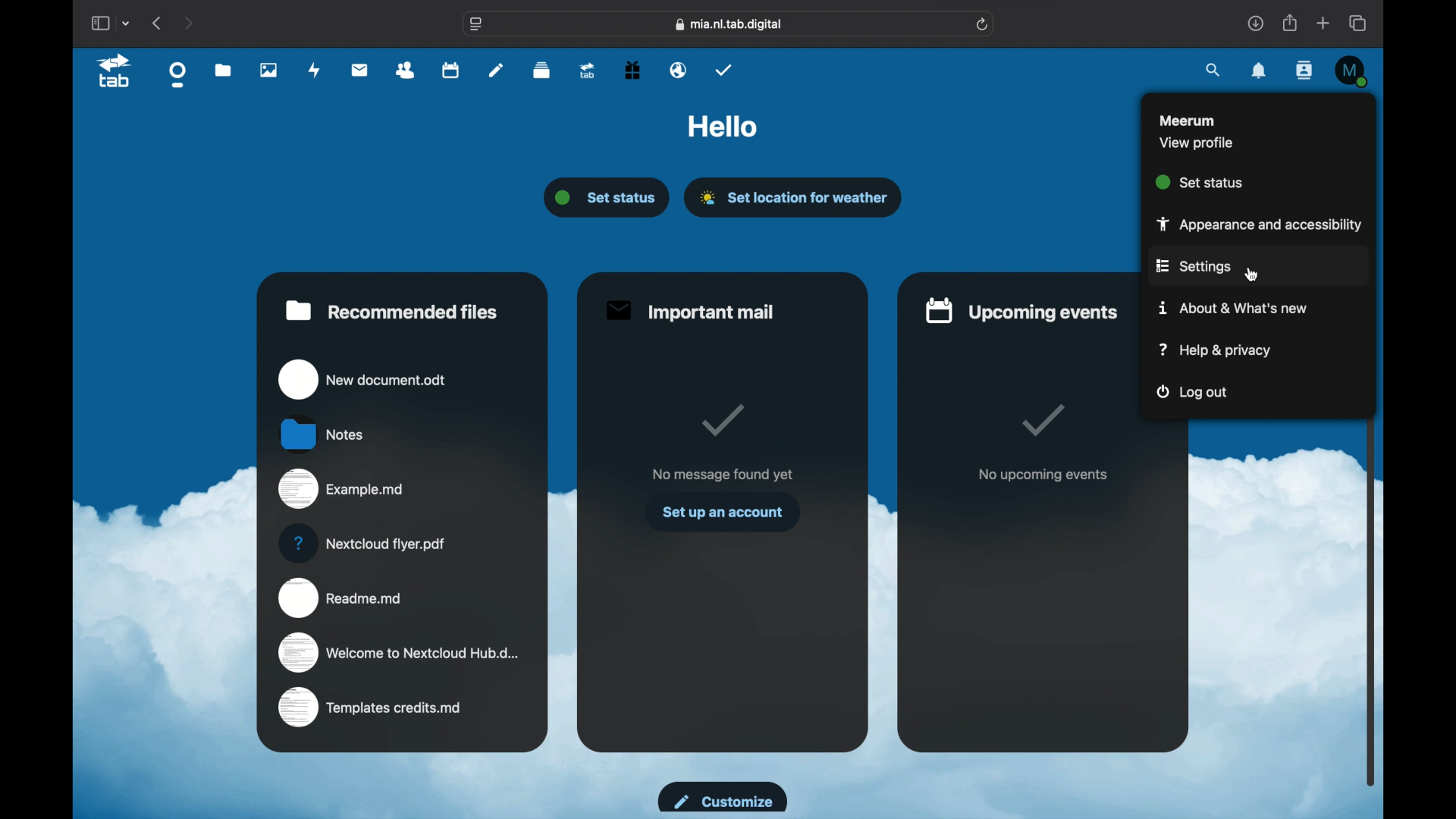 The image size is (1456, 819). Describe the element at coordinates (115, 71) in the screenshot. I see `tab` at that location.